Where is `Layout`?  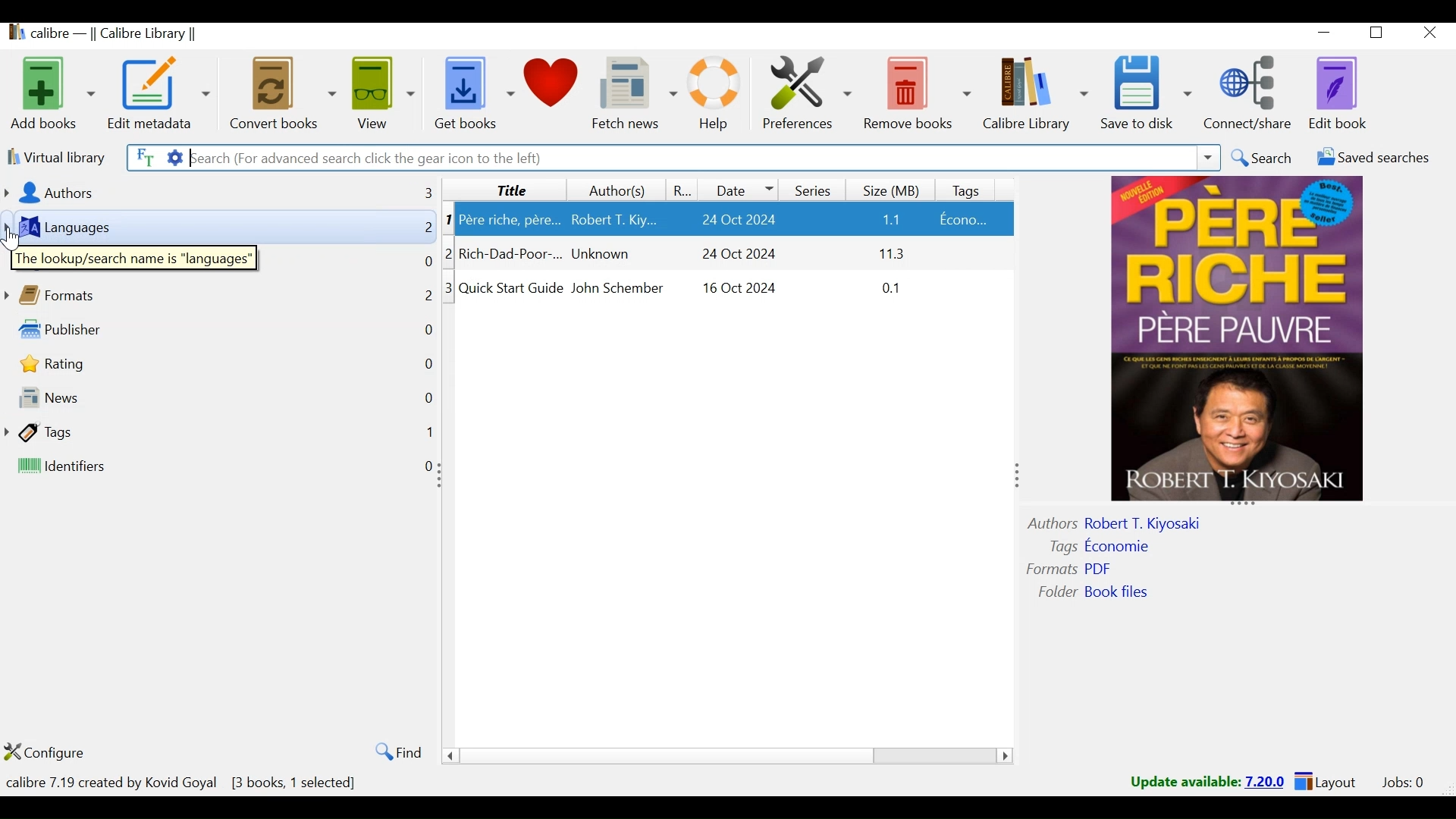 Layout is located at coordinates (1325, 783).